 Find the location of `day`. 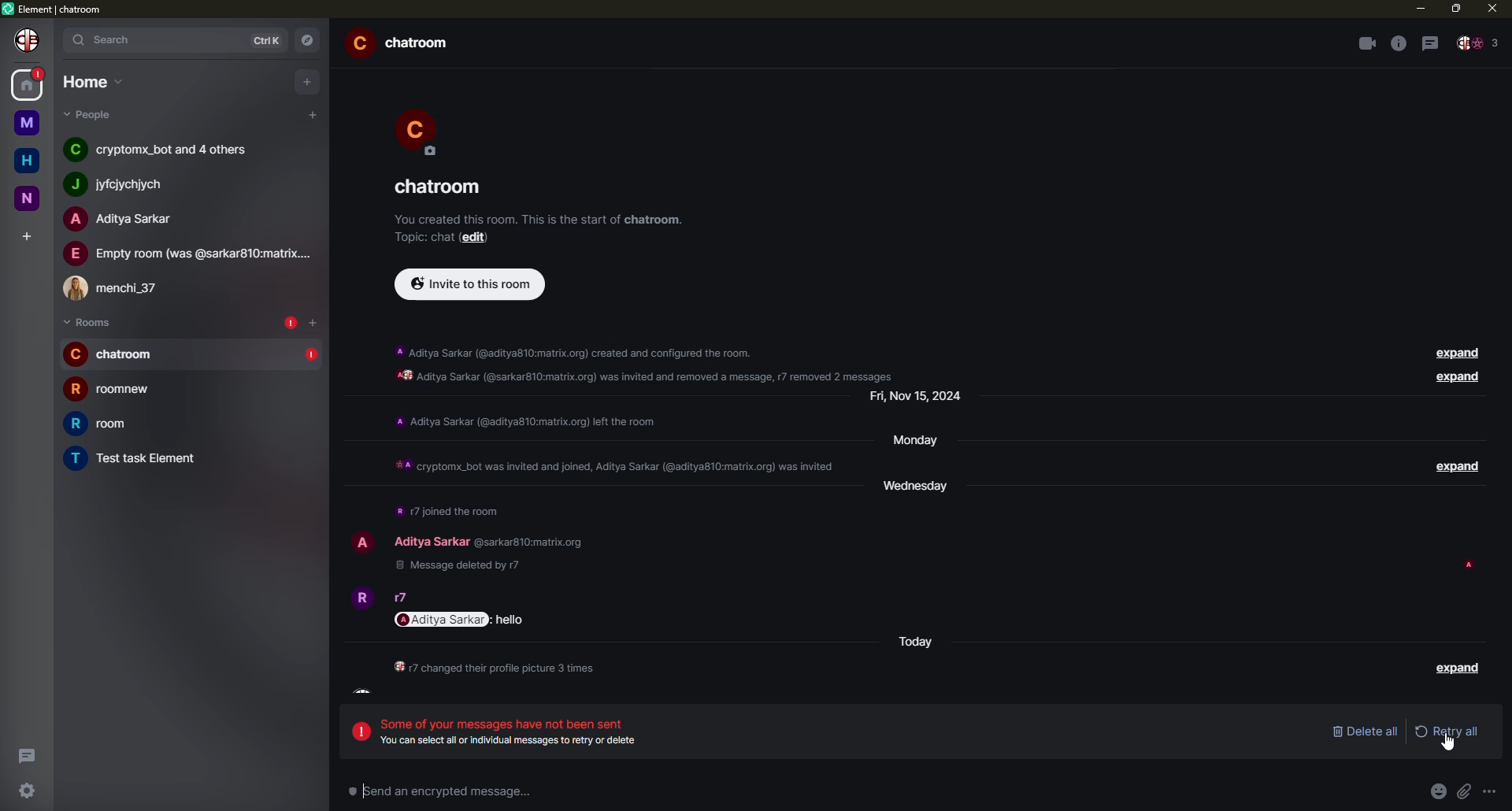

day is located at coordinates (917, 400).